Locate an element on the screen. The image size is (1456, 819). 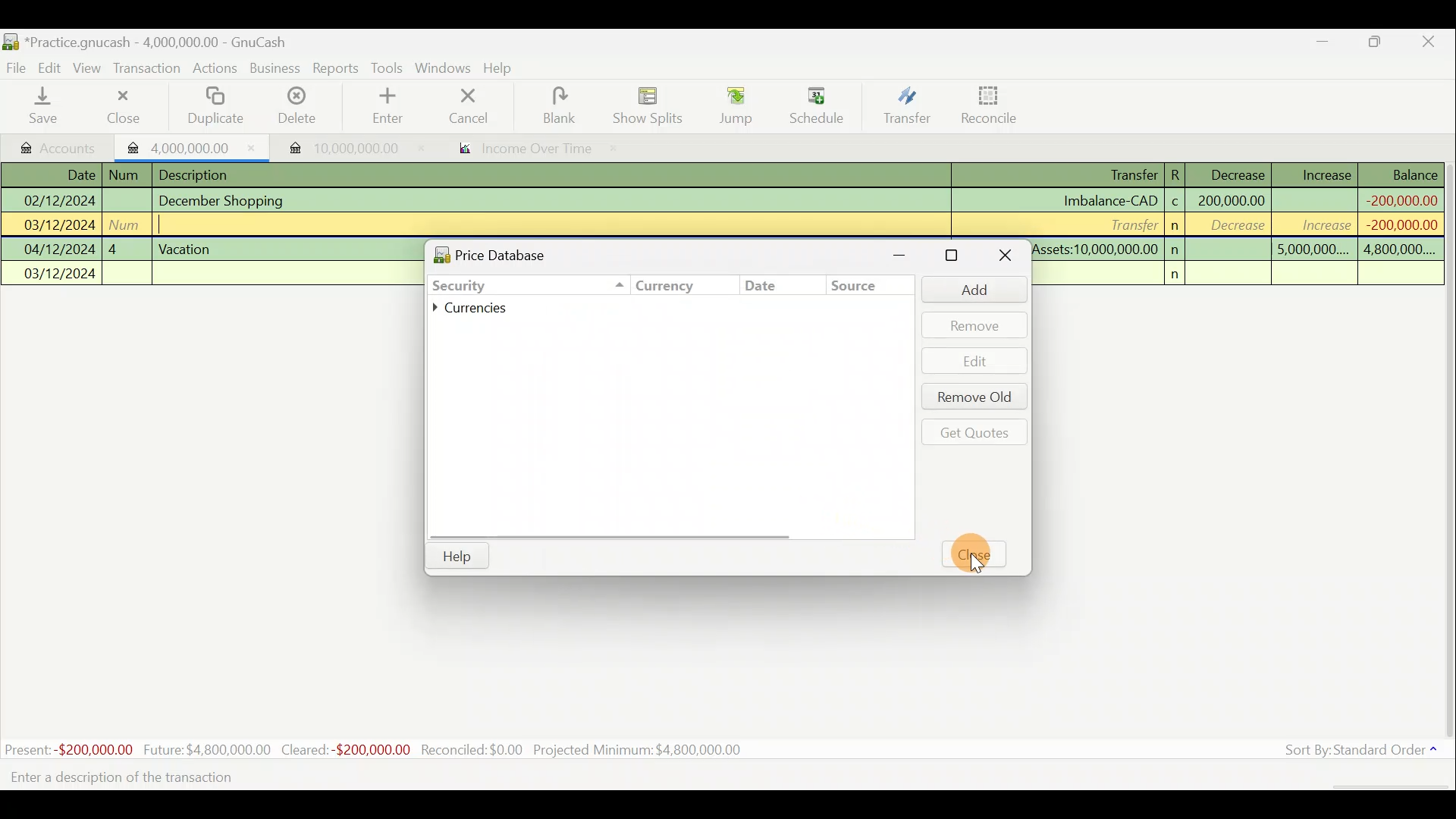
Document name is located at coordinates (145, 39).